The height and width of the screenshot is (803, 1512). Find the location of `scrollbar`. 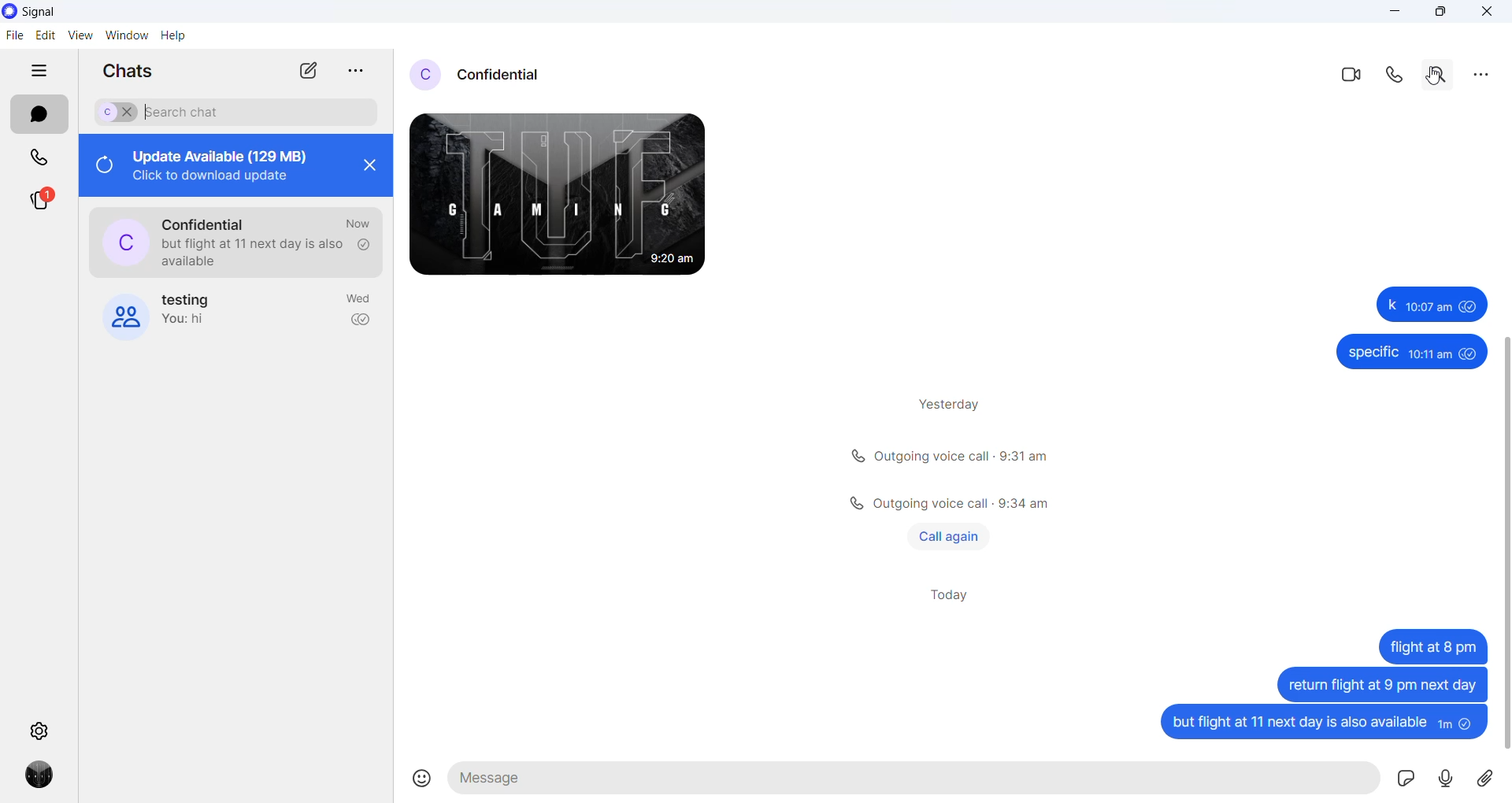

scrollbar is located at coordinates (1503, 527).